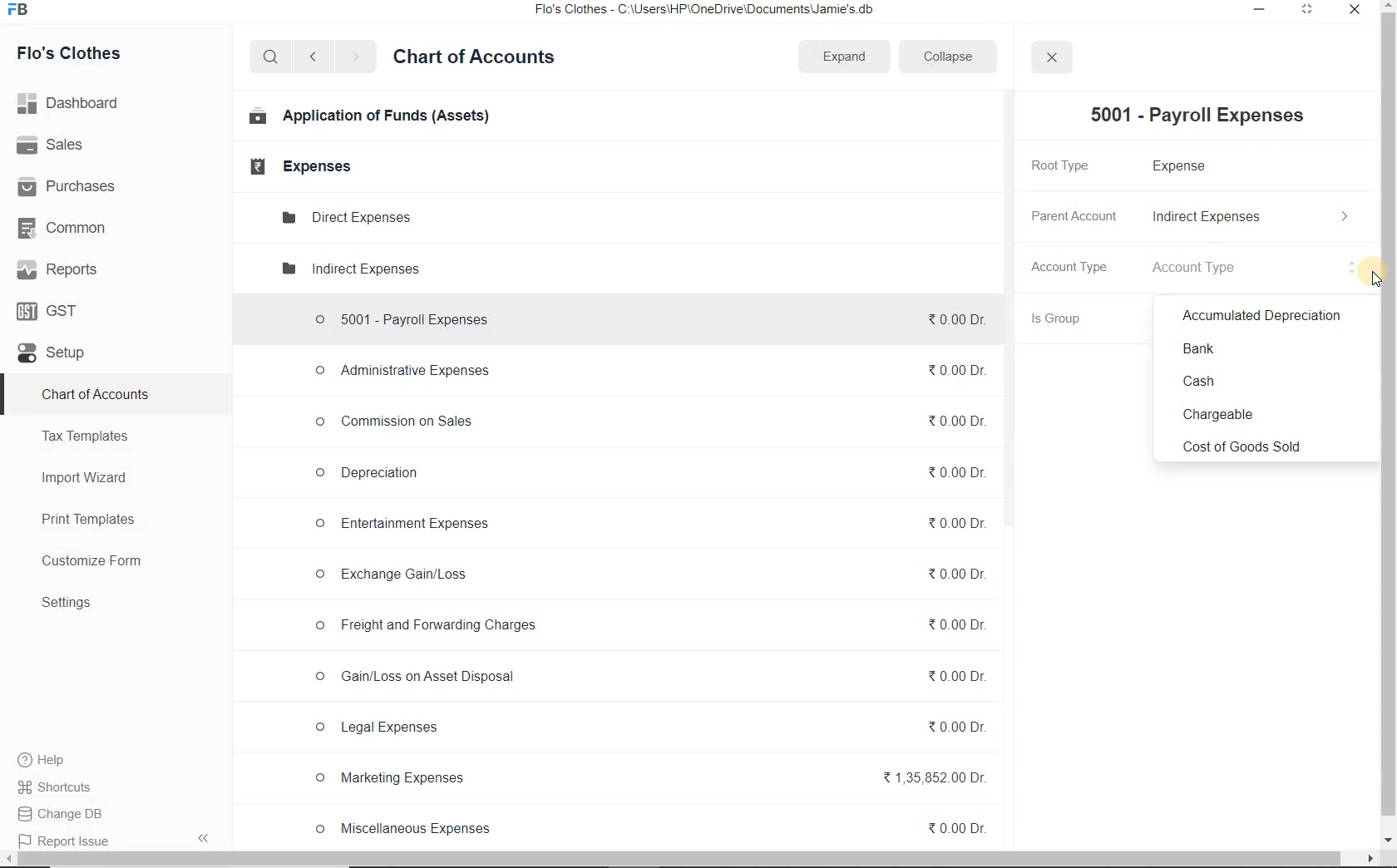 The height and width of the screenshot is (868, 1397). I want to click on Print Templates, so click(88, 520).